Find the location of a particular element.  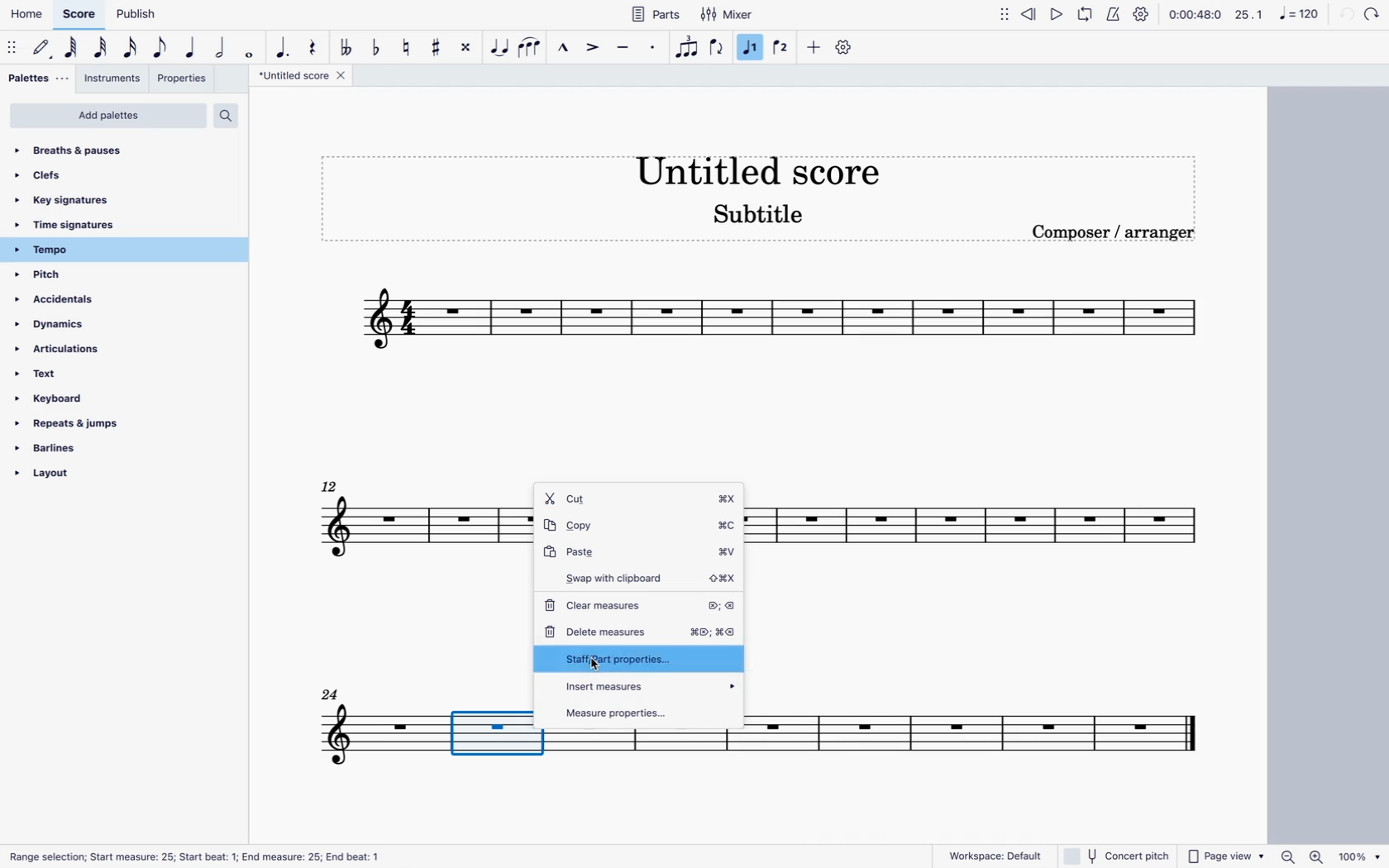

time signatures is located at coordinates (74, 226).